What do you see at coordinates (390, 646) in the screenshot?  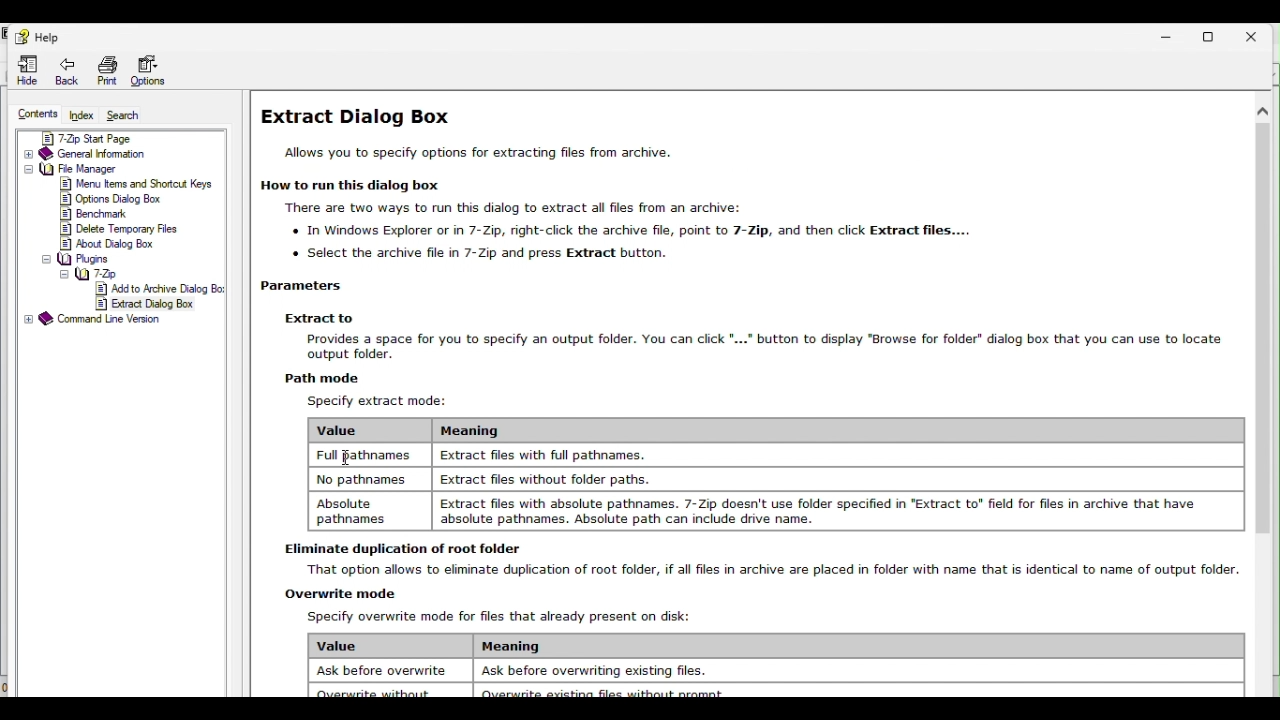 I see `value` at bounding box center [390, 646].